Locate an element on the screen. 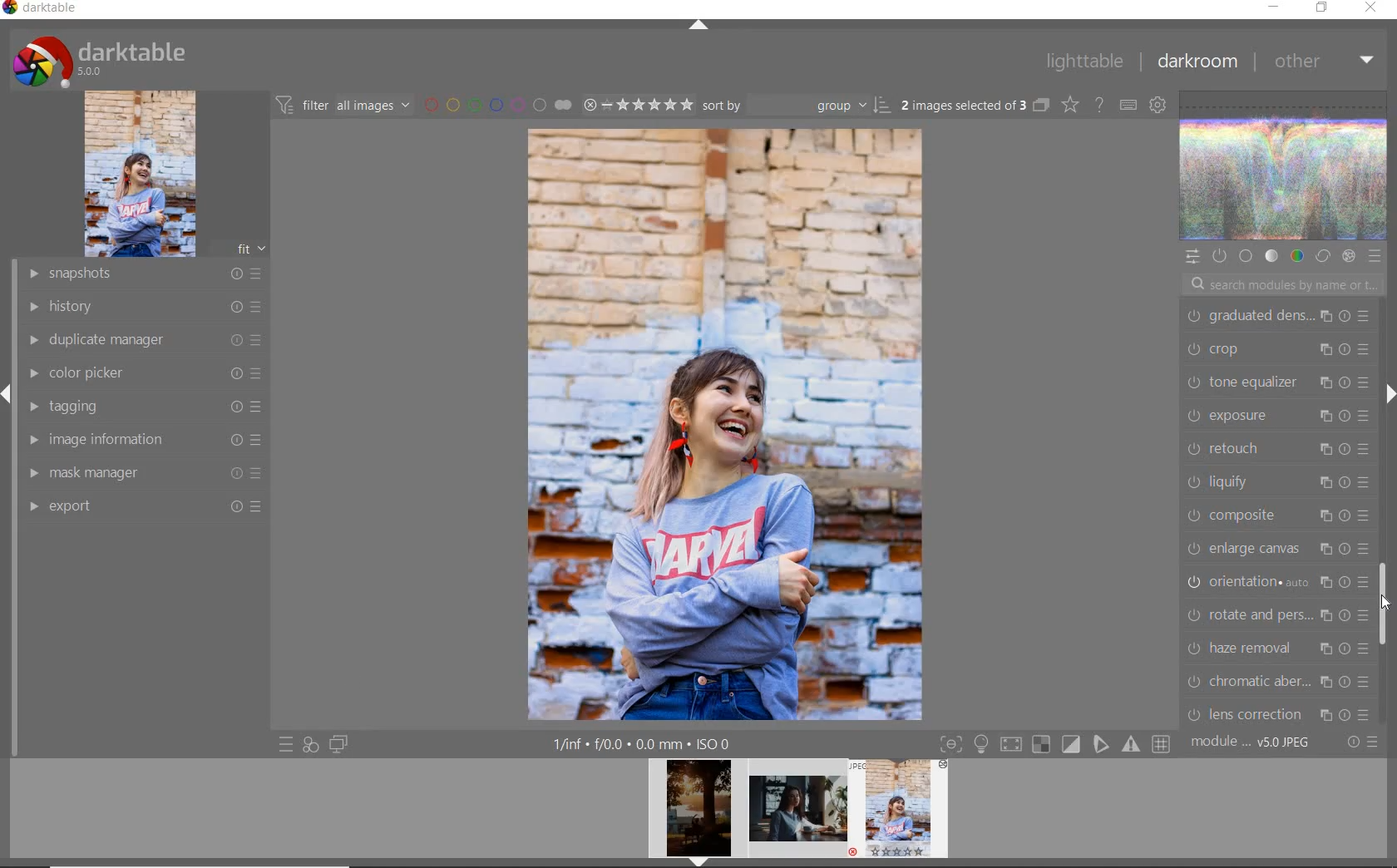 The width and height of the screenshot is (1397, 868). correct is located at coordinates (1323, 257).